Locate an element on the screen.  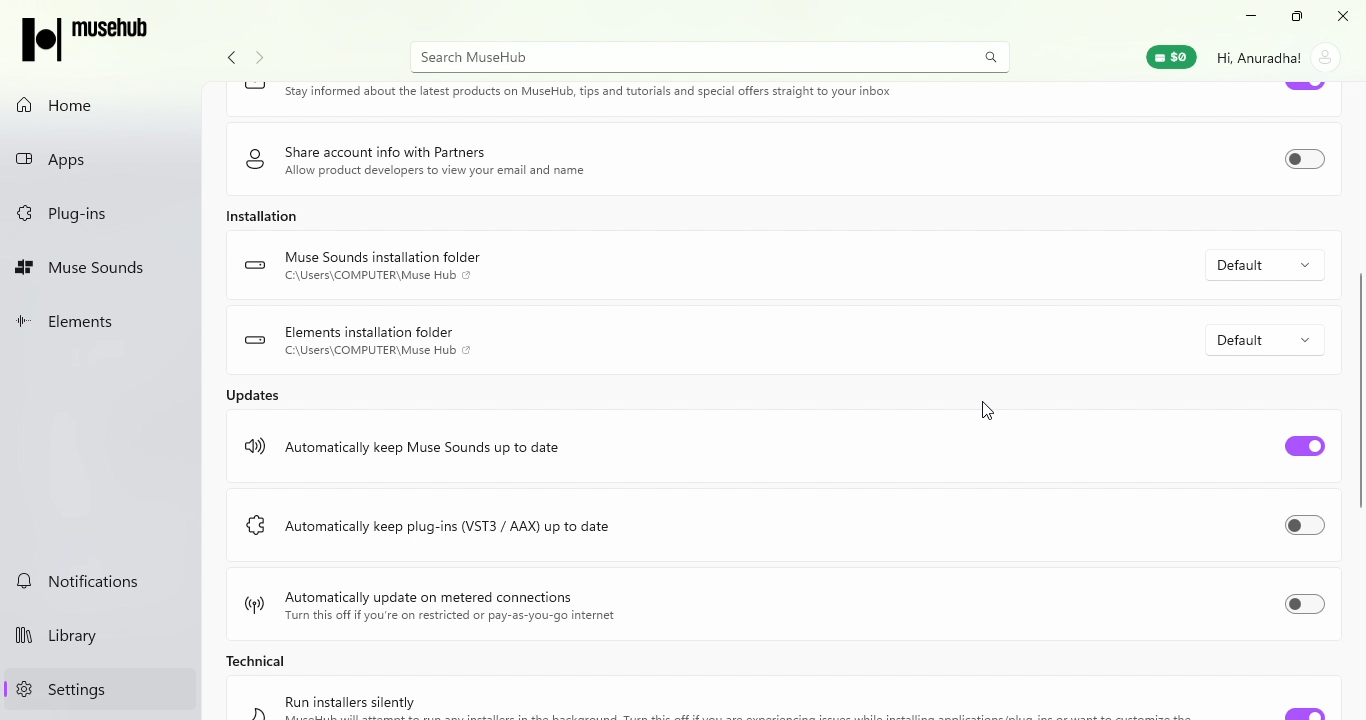
Default is located at coordinates (1265, 265).